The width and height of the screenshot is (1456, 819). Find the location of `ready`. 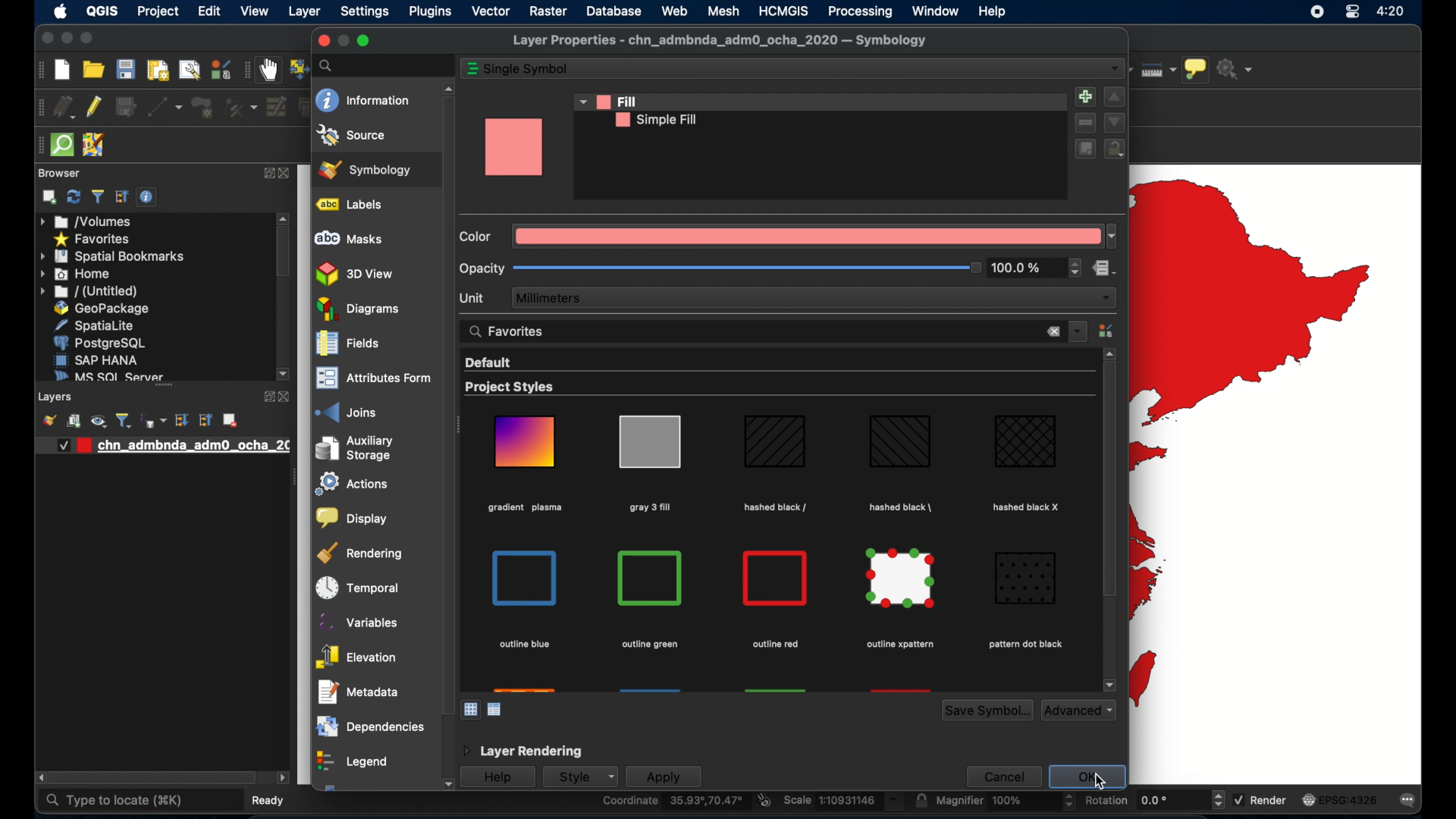

ready is located at coordinates (272, 799).